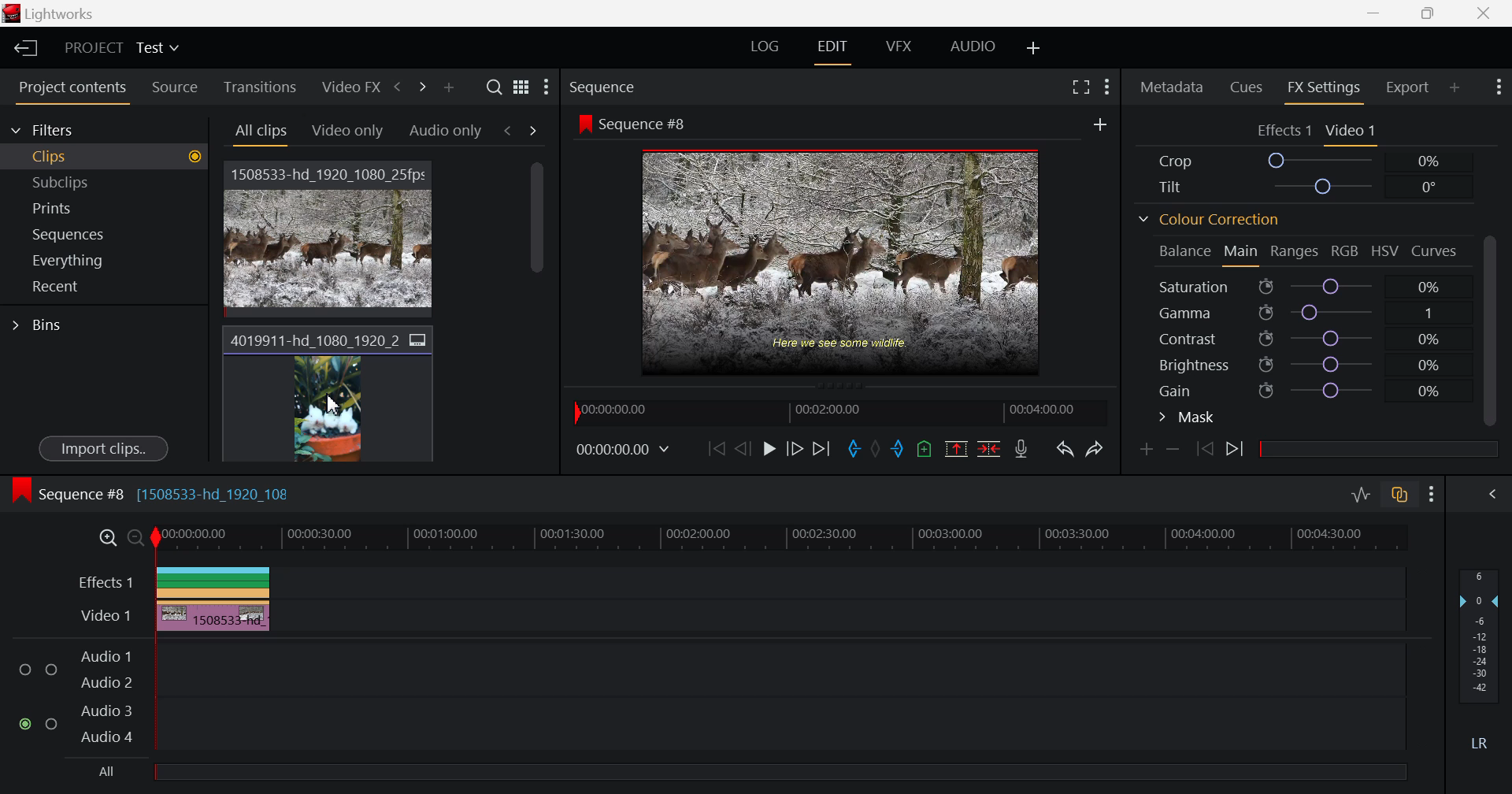 This screenshot has height=794, width=1512. What do you see at coordinates (795, 447) in the screenshot?
I see `Go Forward` at bounding box center [795, 447].